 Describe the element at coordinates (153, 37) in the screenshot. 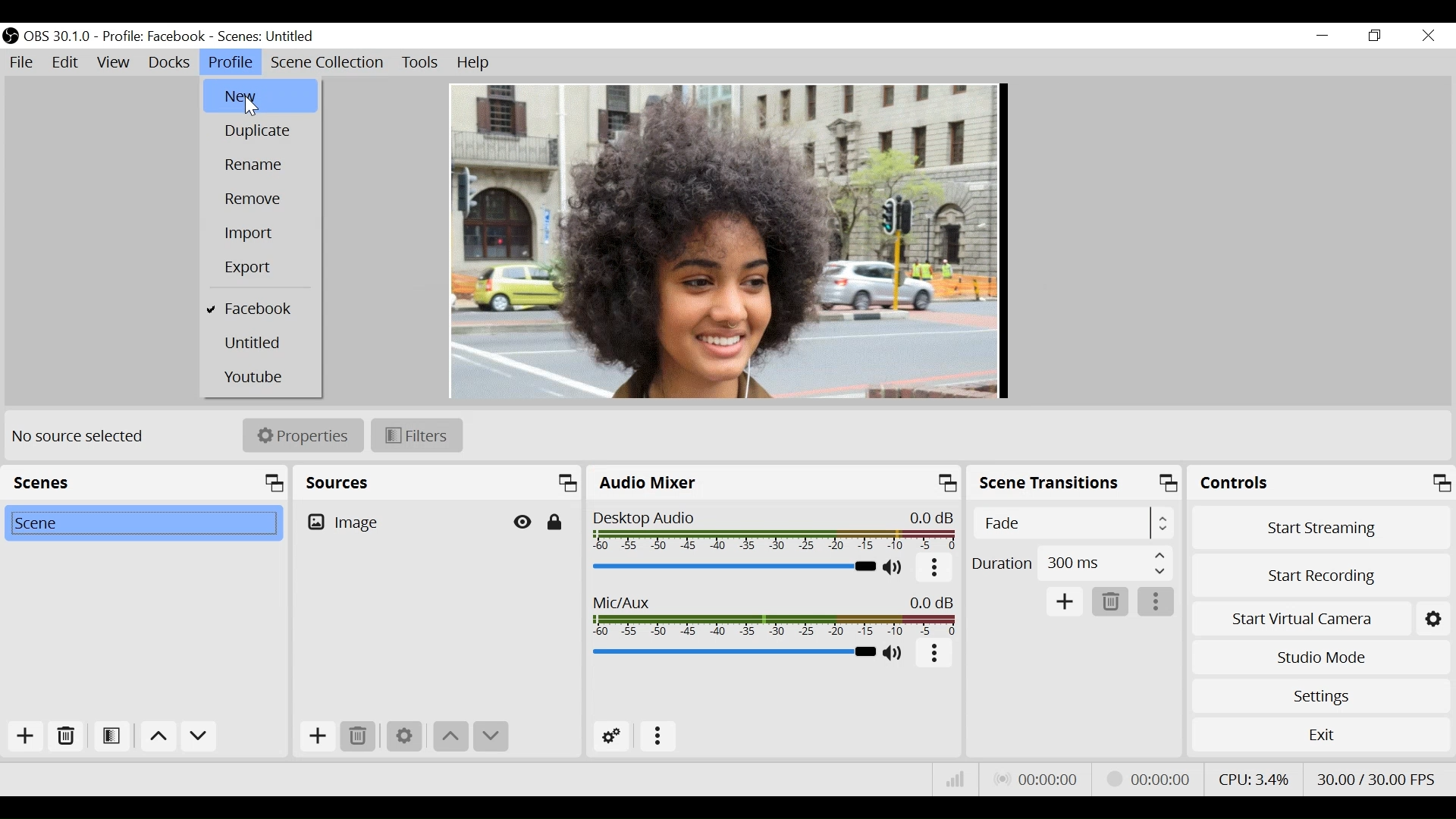

I see `Profile Name` at that location.